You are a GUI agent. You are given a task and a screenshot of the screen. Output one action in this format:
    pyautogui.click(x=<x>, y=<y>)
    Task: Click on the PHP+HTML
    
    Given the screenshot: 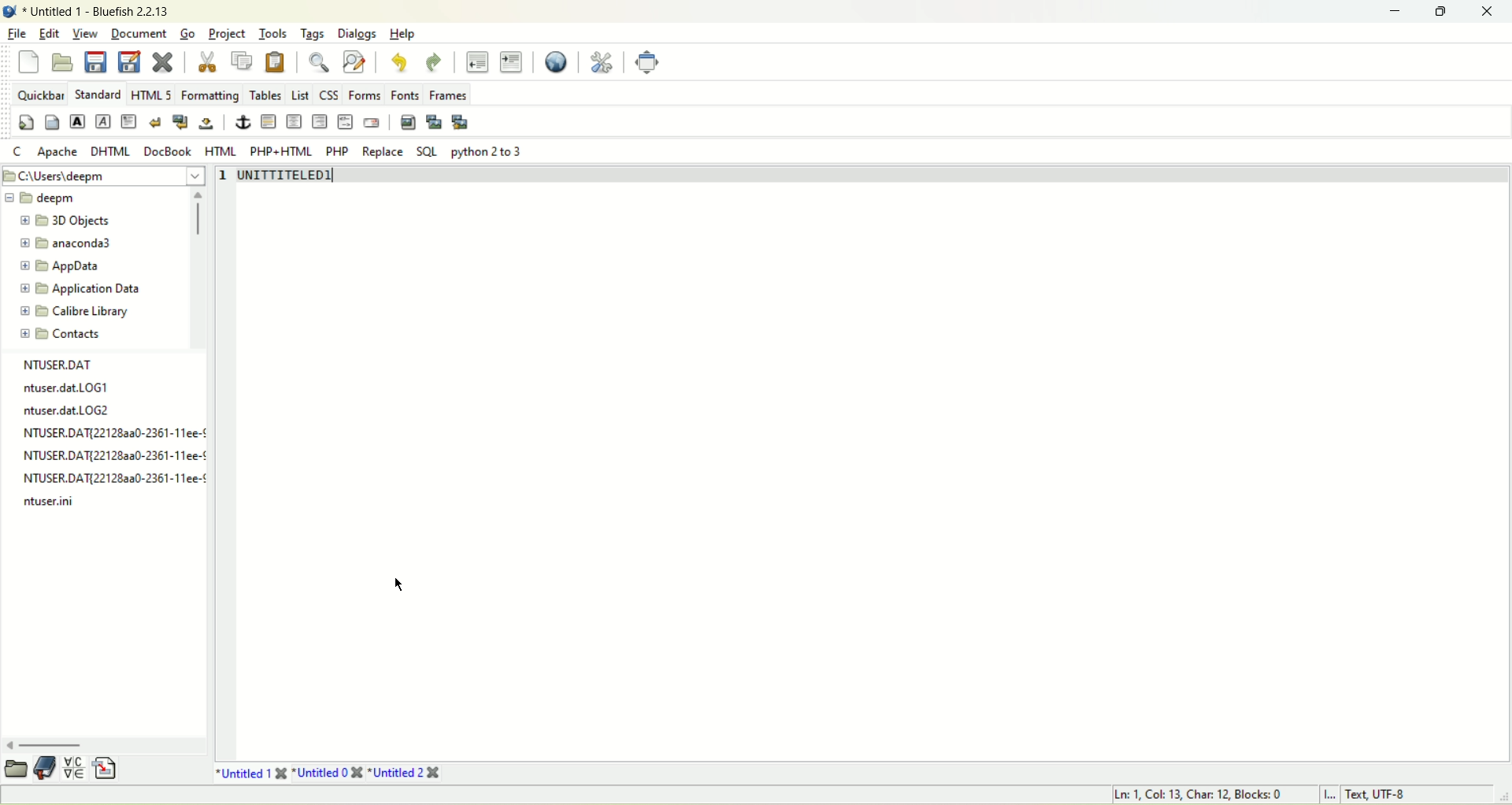 What is the action you would take?
    pyautogui.click(x=279, y=150)
    